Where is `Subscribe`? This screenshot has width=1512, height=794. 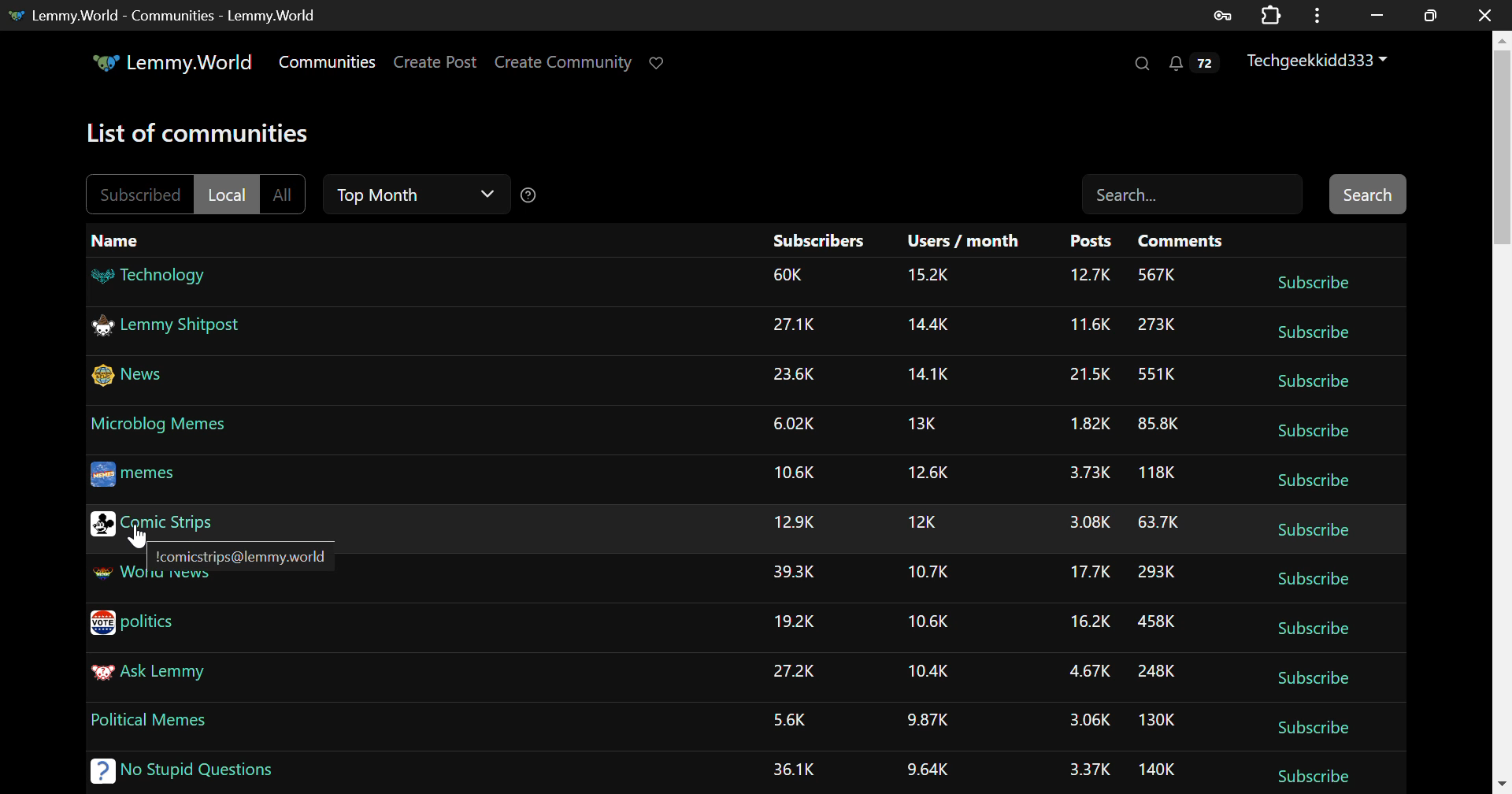 Subscribe is located at coordinates (1310, 335).